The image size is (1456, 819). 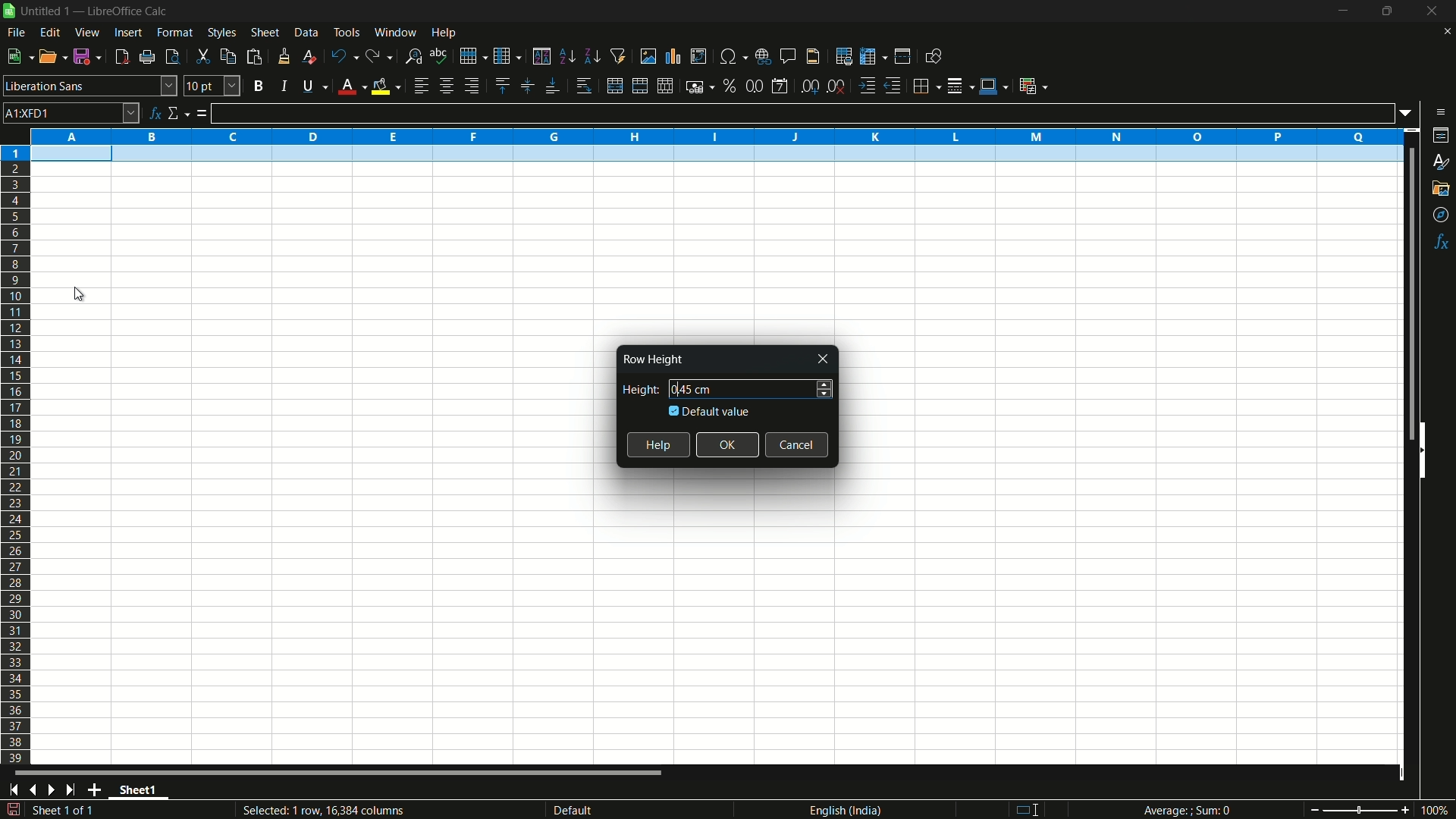 I want to click on insert or edit pivot table, so click(x=698, y=56).